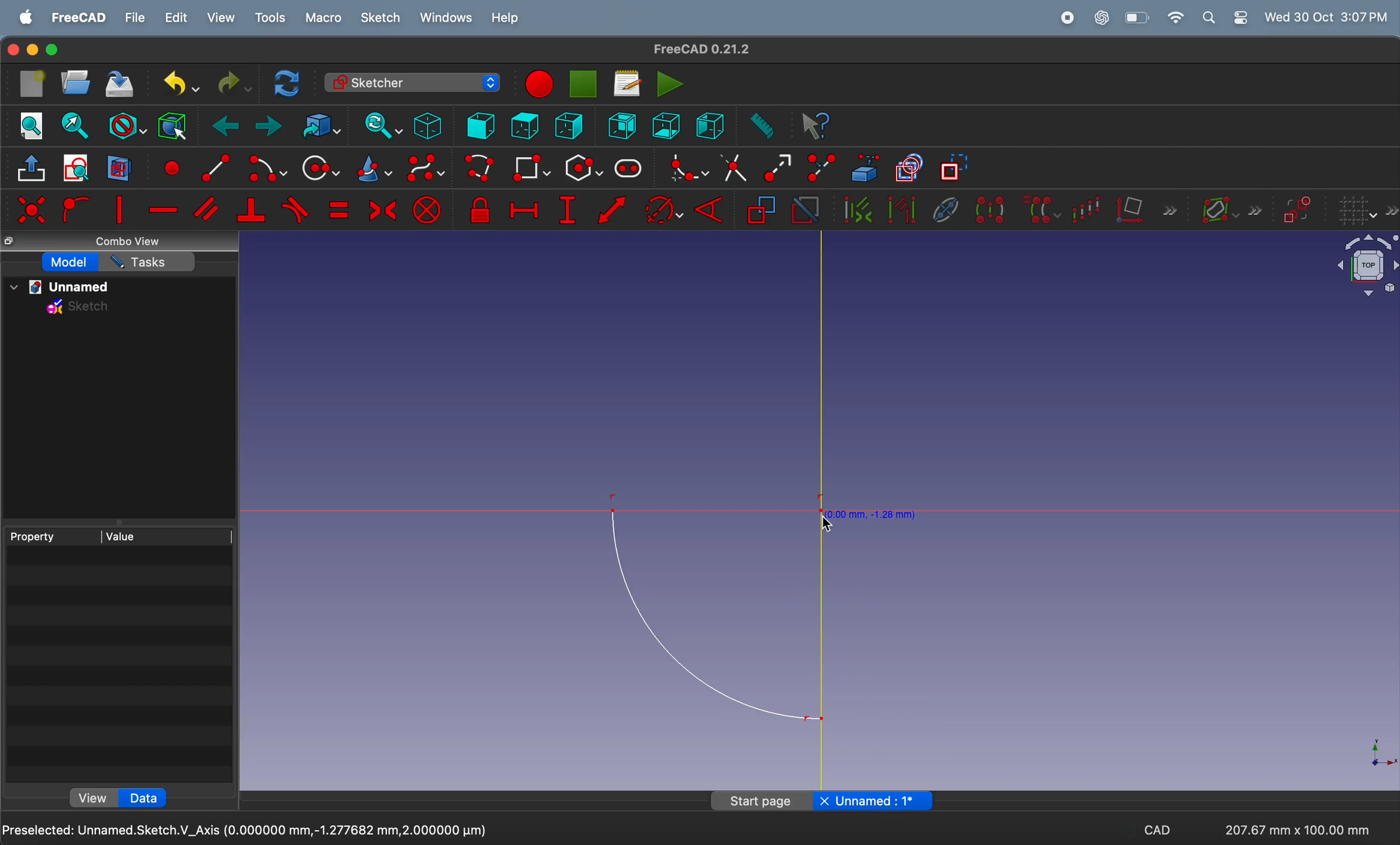  Describe the element at coordinates (172, 125) in the screenshot. I see `bounding box` at that location.